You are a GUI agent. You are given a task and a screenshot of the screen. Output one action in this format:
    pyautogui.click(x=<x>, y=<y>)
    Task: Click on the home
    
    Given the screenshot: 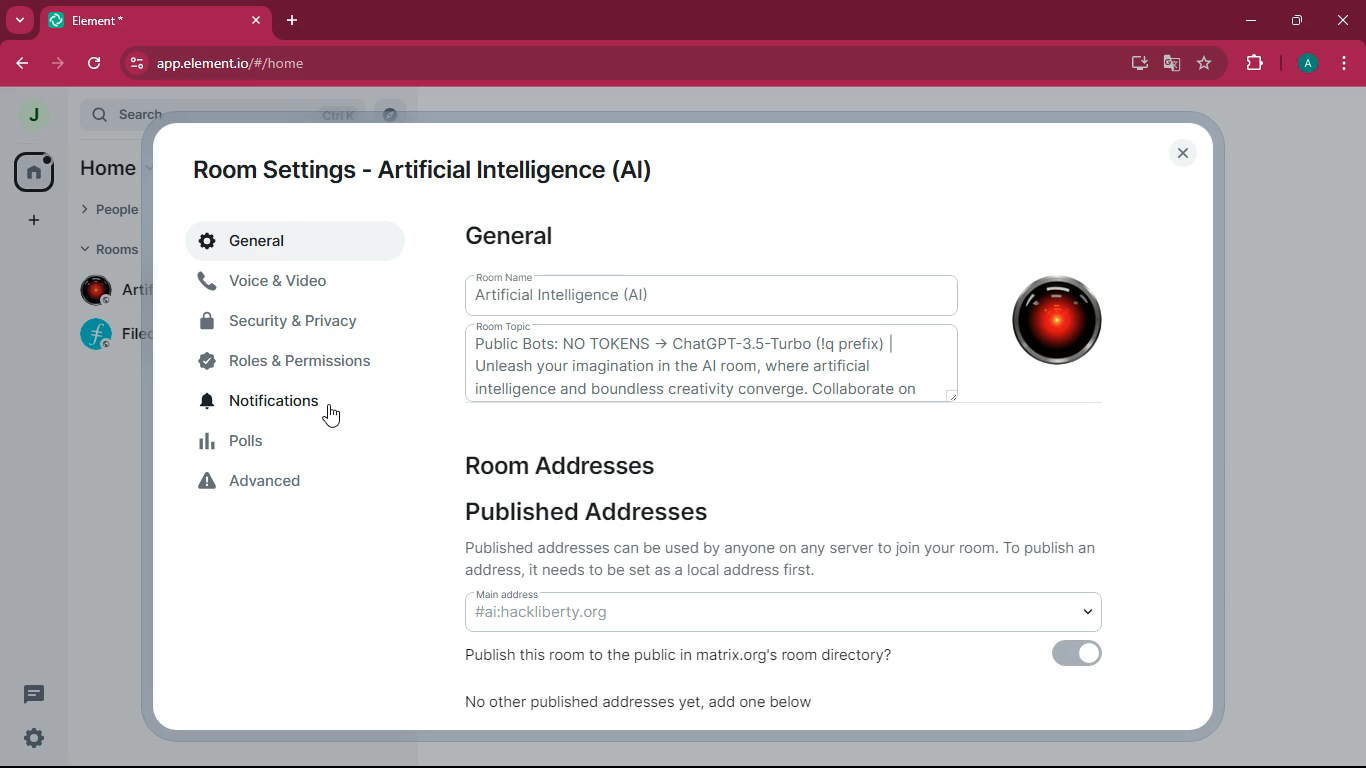 What is the action you would take?
    pyautogui.click(x=108, y=168)
    